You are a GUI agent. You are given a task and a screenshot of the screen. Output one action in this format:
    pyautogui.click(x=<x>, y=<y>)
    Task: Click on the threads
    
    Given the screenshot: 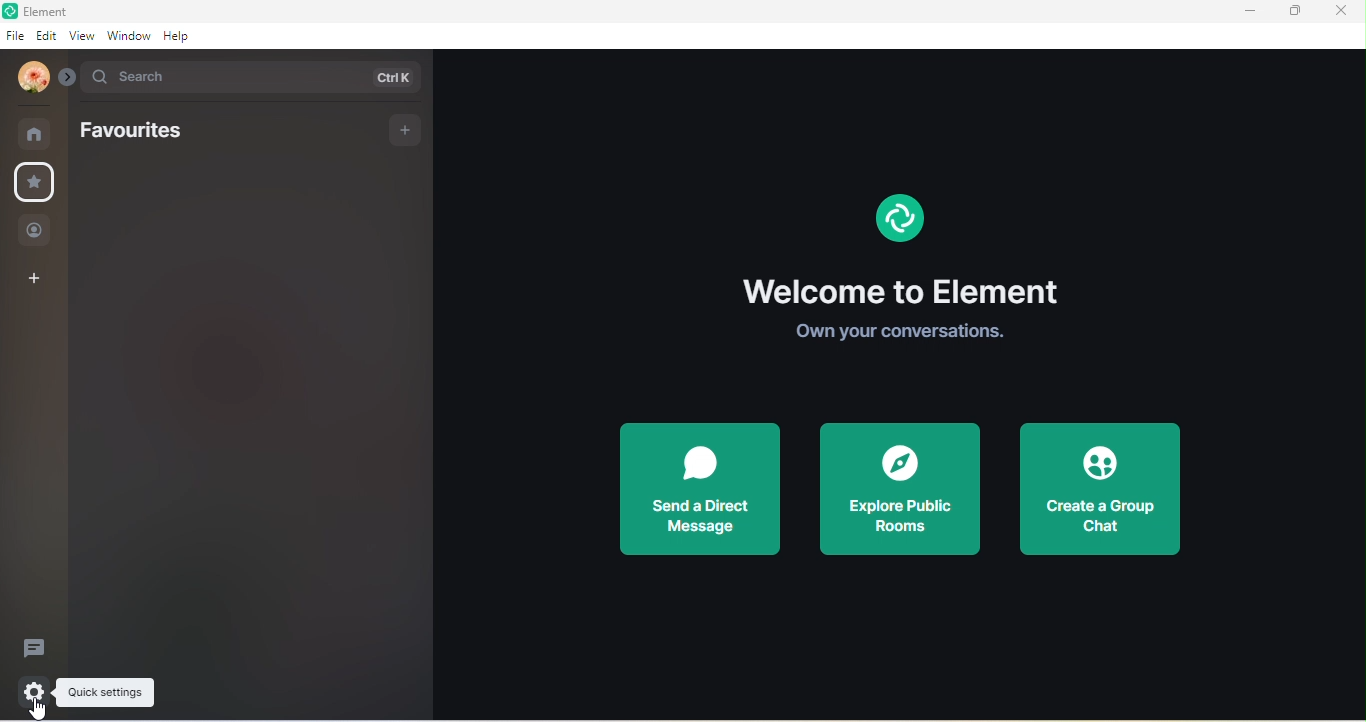 What is the action you would take?
    pyautogui.click(x=41, y=642)
    